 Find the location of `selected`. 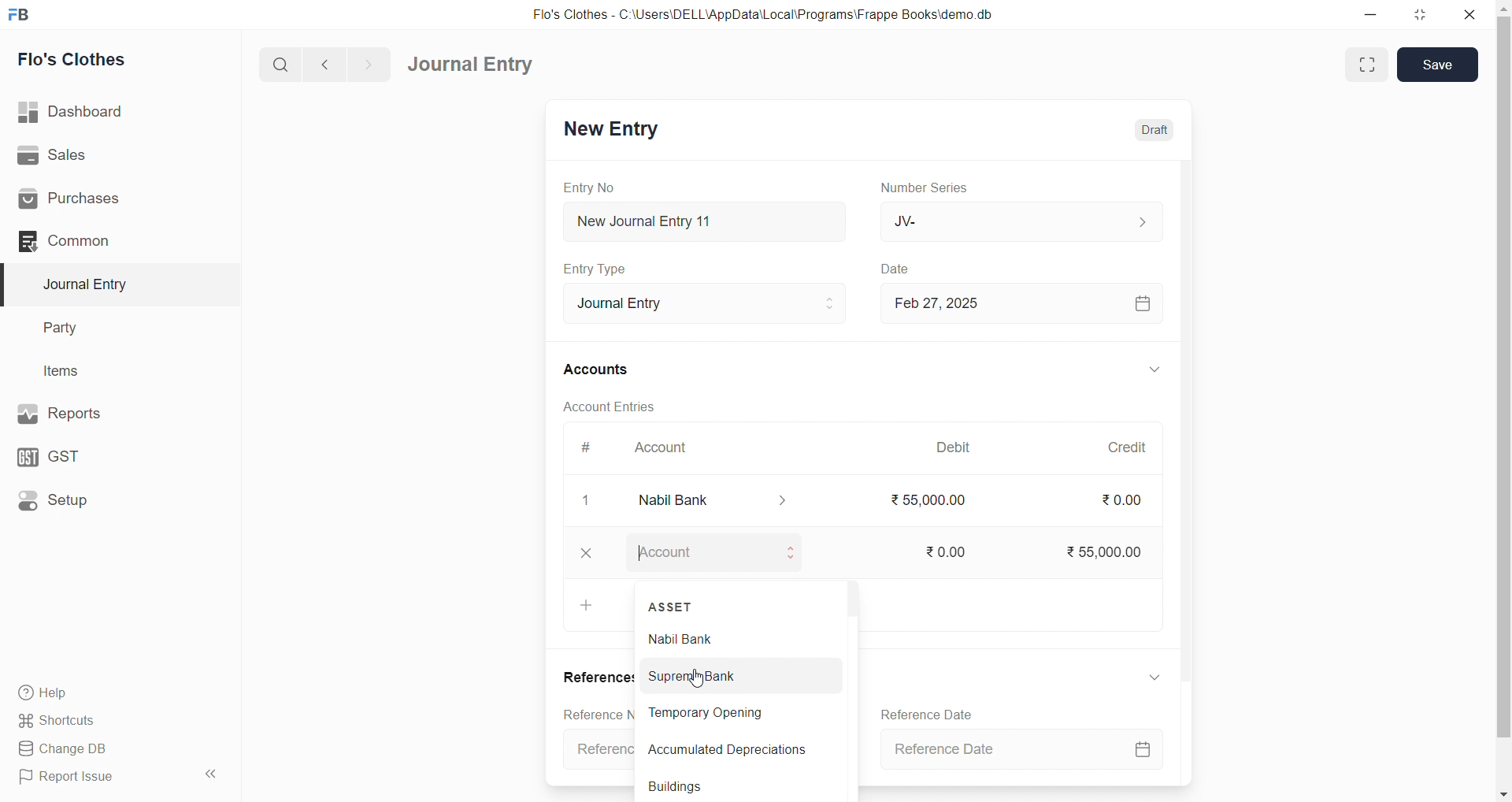

selected is located at coordinates (9, 284).